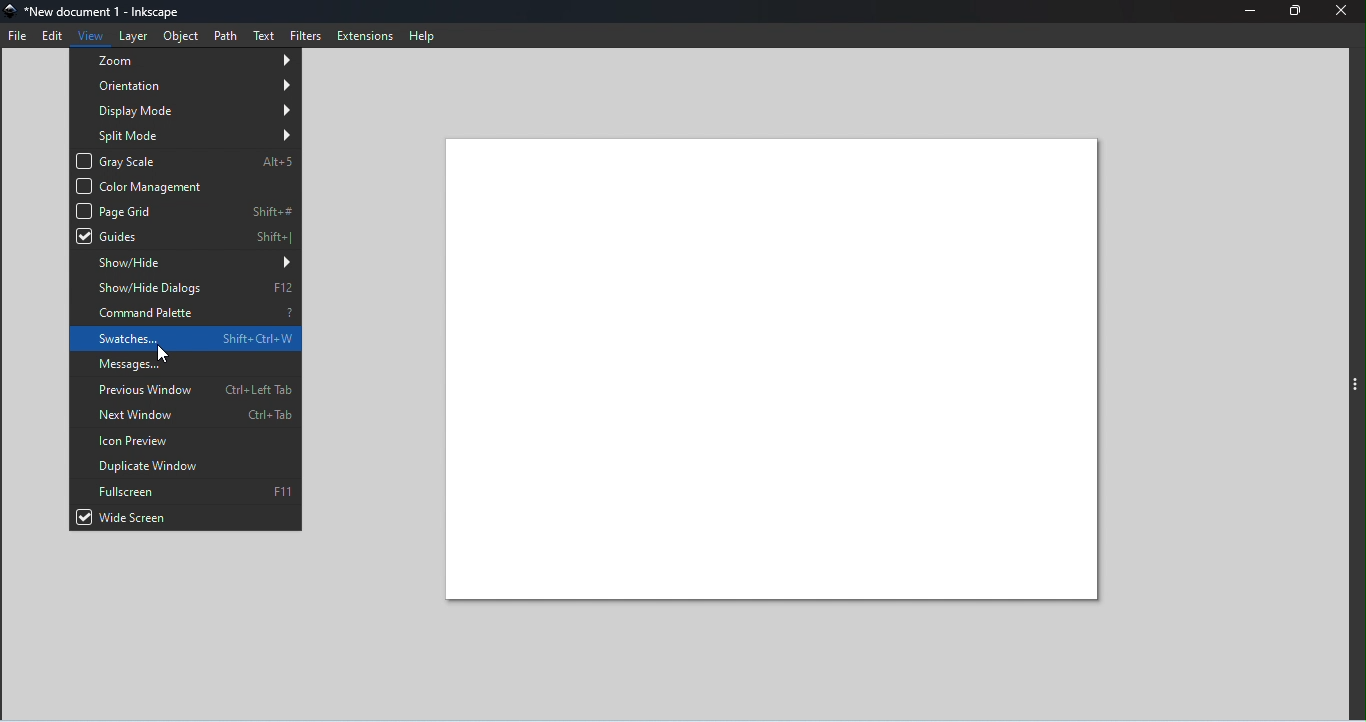 The image size is (1366, 722). I want to click on Maximize, so click(1296, 12).